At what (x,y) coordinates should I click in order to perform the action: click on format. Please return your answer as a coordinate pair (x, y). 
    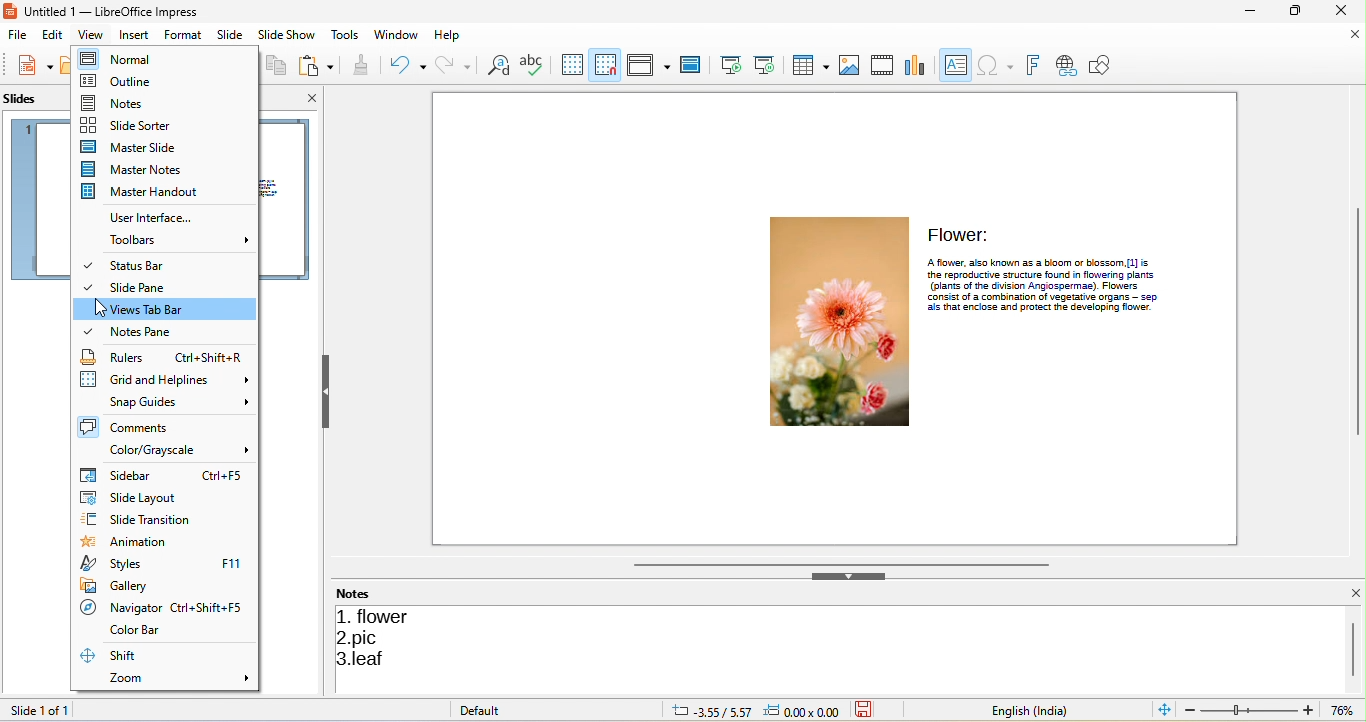
    Looking at the image, I should click on (181, 35).